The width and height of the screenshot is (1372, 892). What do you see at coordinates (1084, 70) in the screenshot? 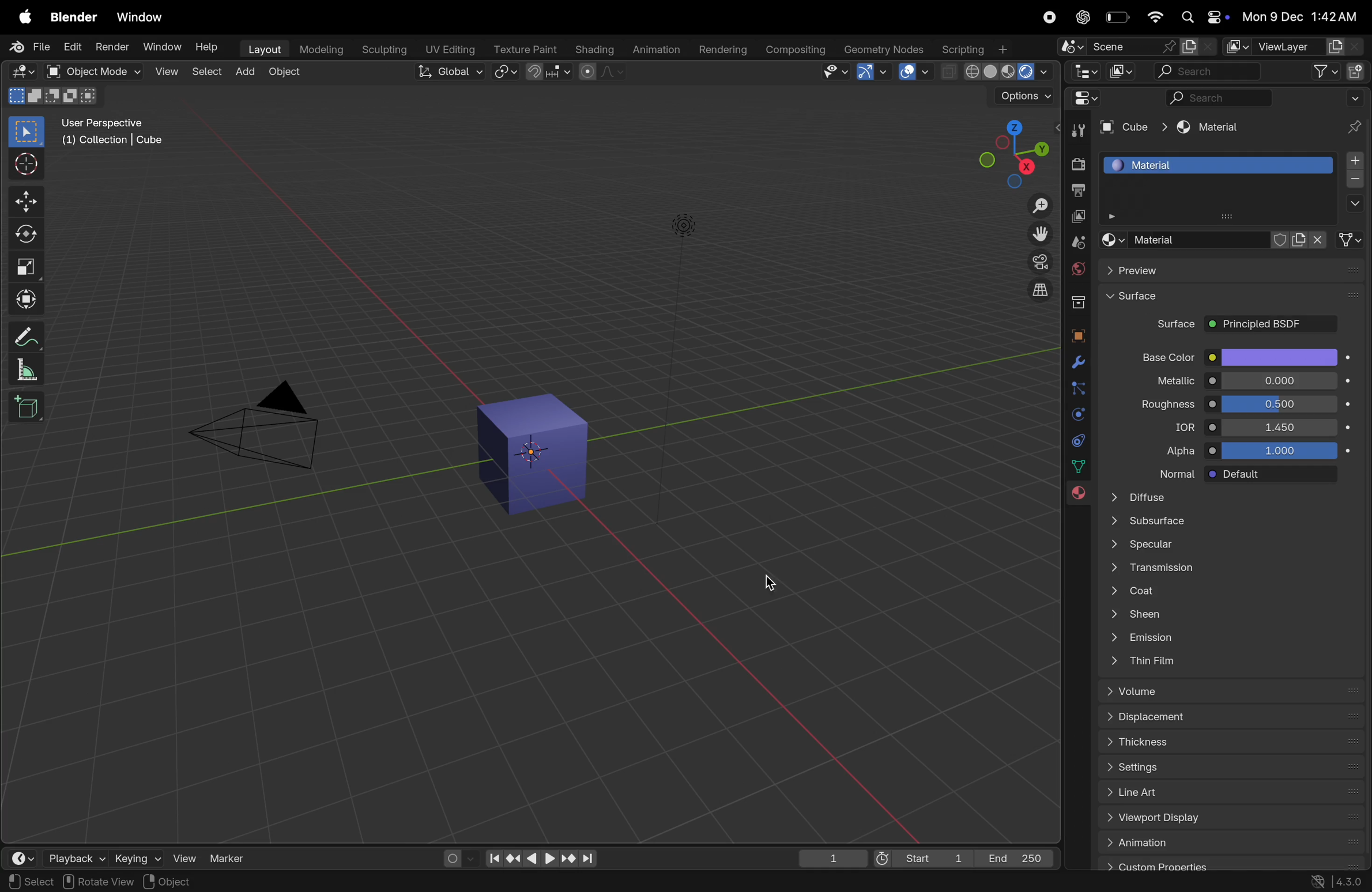
I see `editor type` at bounding box center [1084, 70].